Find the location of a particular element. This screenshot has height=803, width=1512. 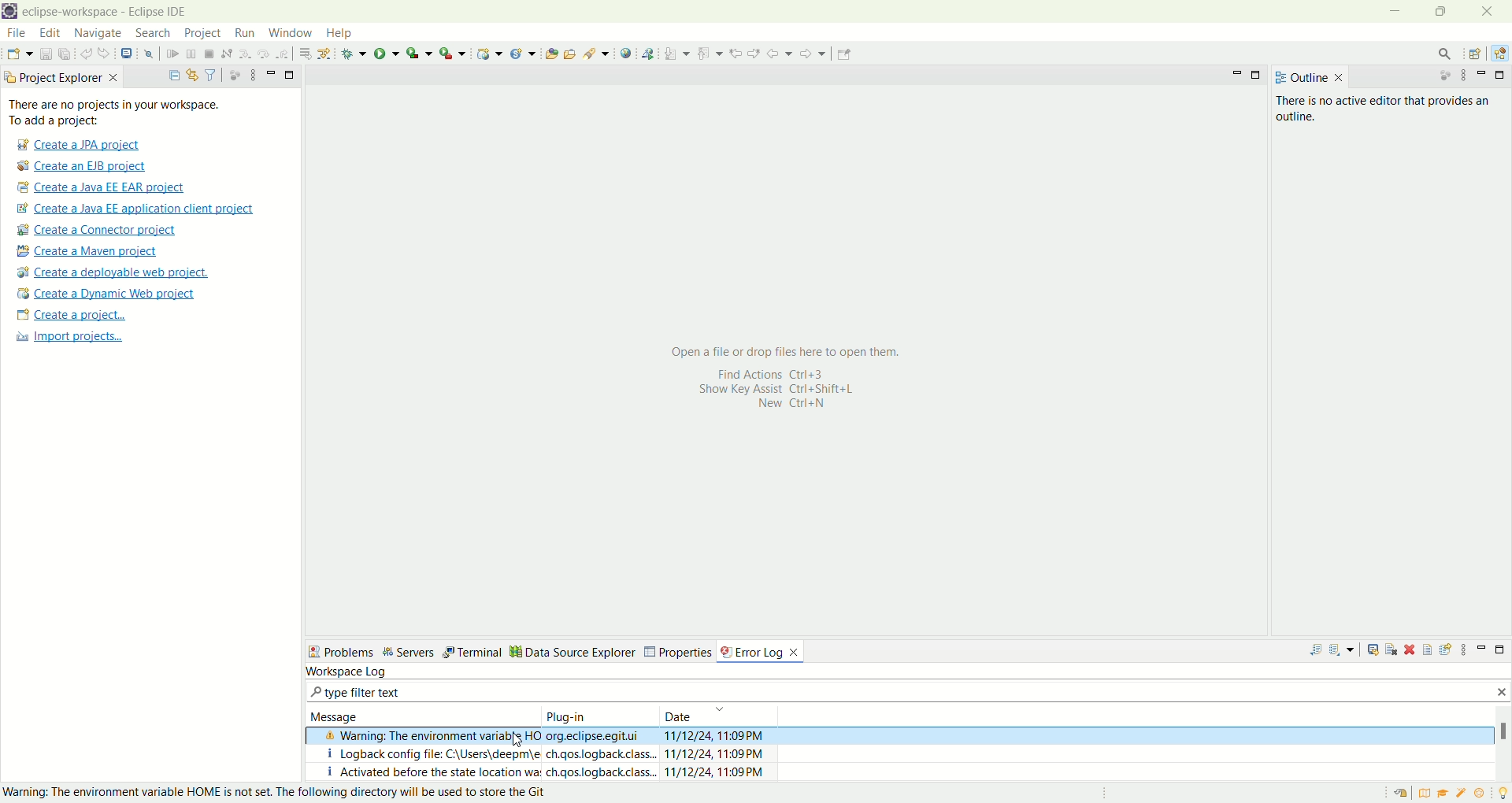

step into is located at coordinates (243, 54).